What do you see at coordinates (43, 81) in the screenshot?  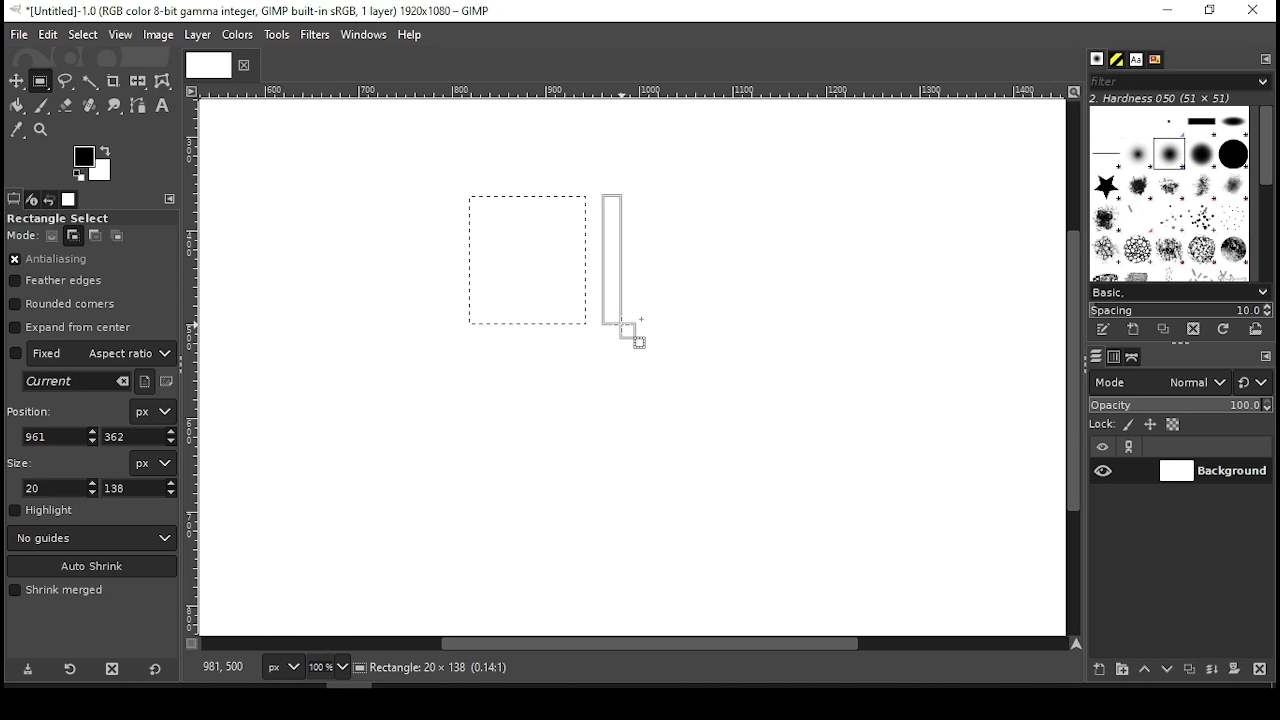 I see `rectangular selection tool` at bounding box center [43, 81].